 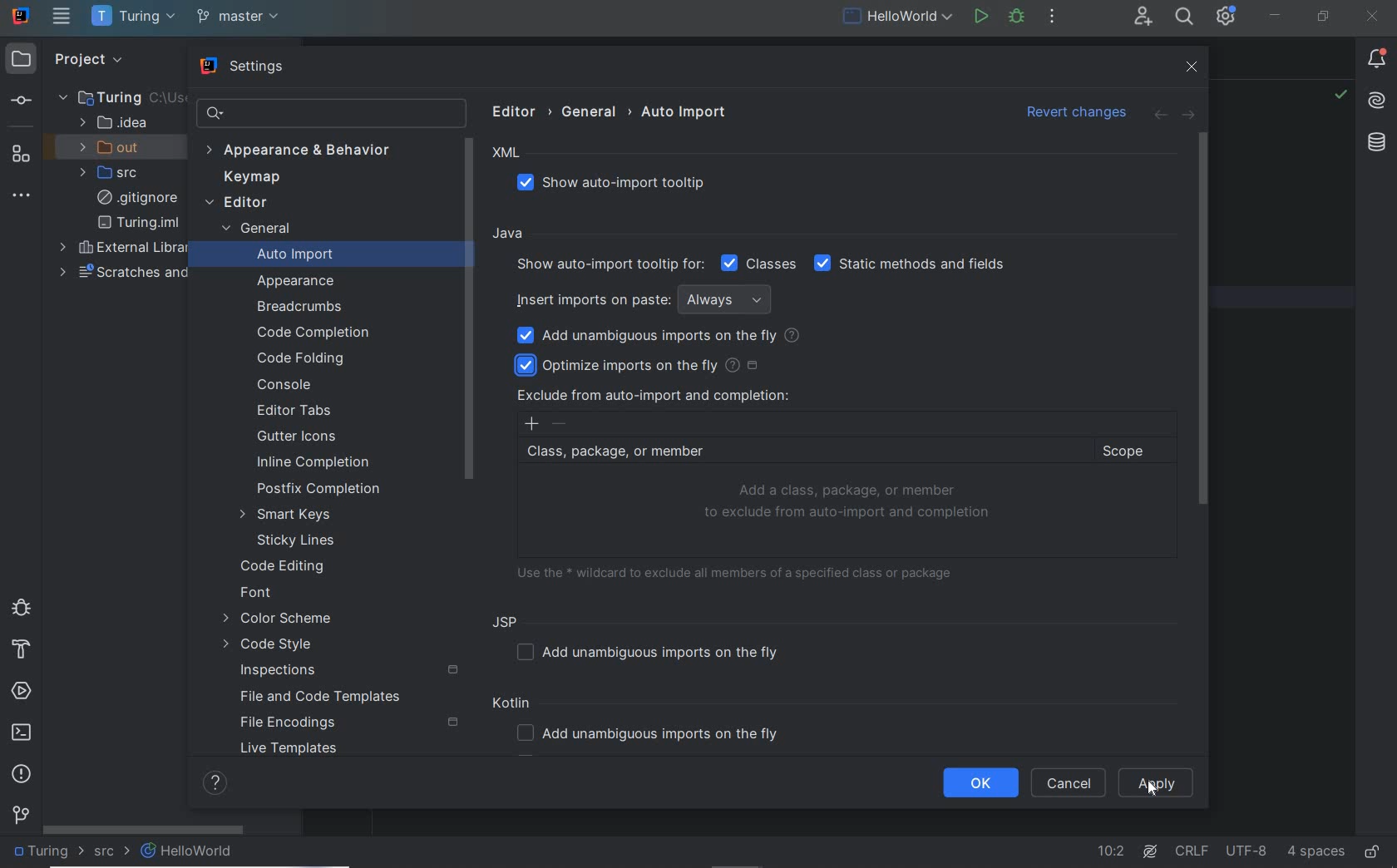 What do you see at coordinates (979, 15) in the screenshot?
I see `RUN` at bounding box center [979, 15].